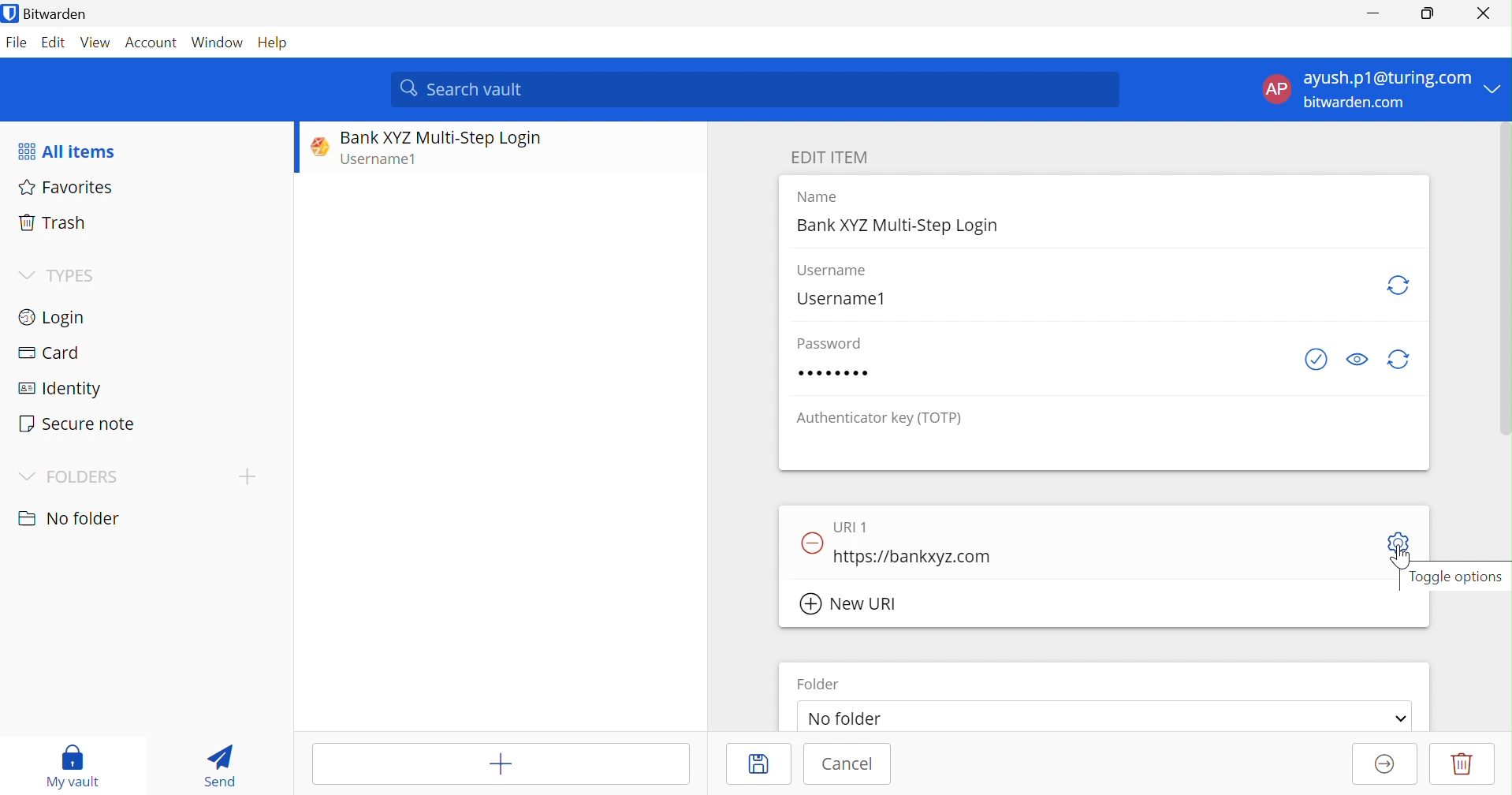  Describe the element at coordinates (69, 188) in the screenshot. I see `Favorites` at that location.